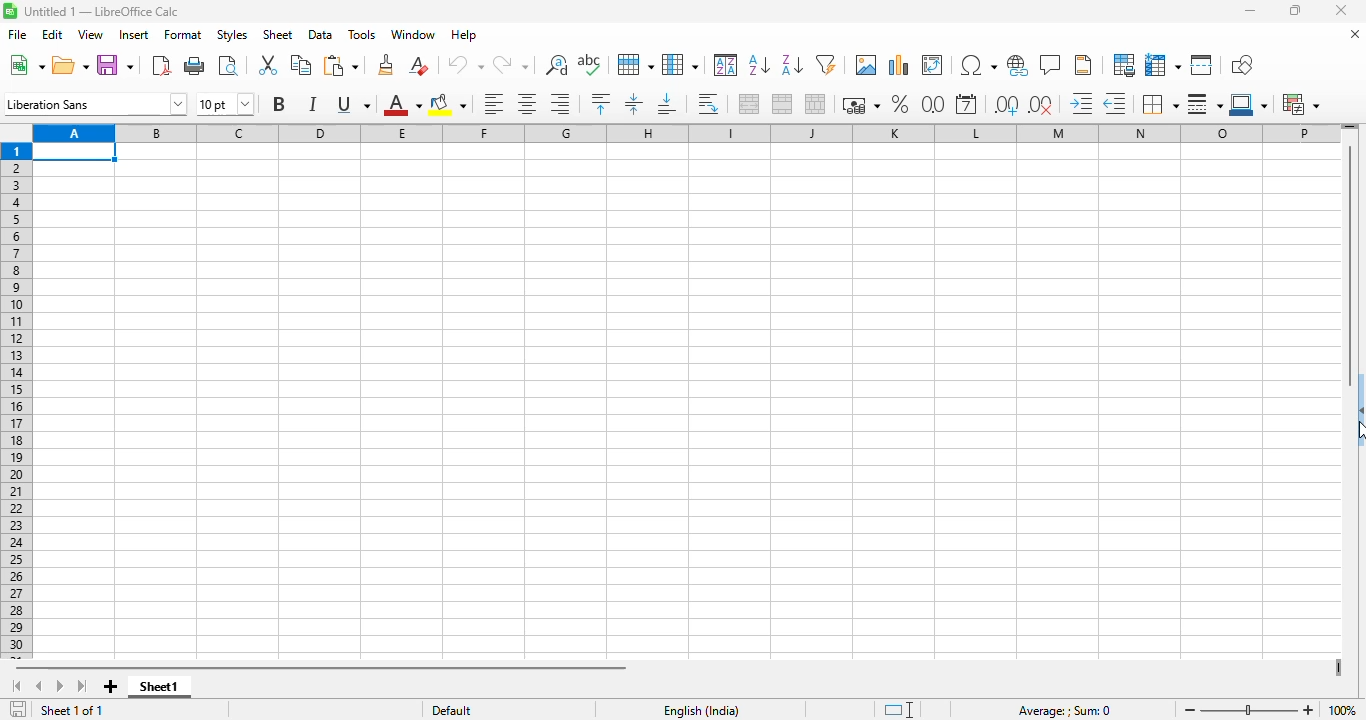 This screenshot has height=720, width=1366. What do you see at coordinates (1357, 430) in the screenshot?
I see `cursor` at bounding box center [1357, 430].